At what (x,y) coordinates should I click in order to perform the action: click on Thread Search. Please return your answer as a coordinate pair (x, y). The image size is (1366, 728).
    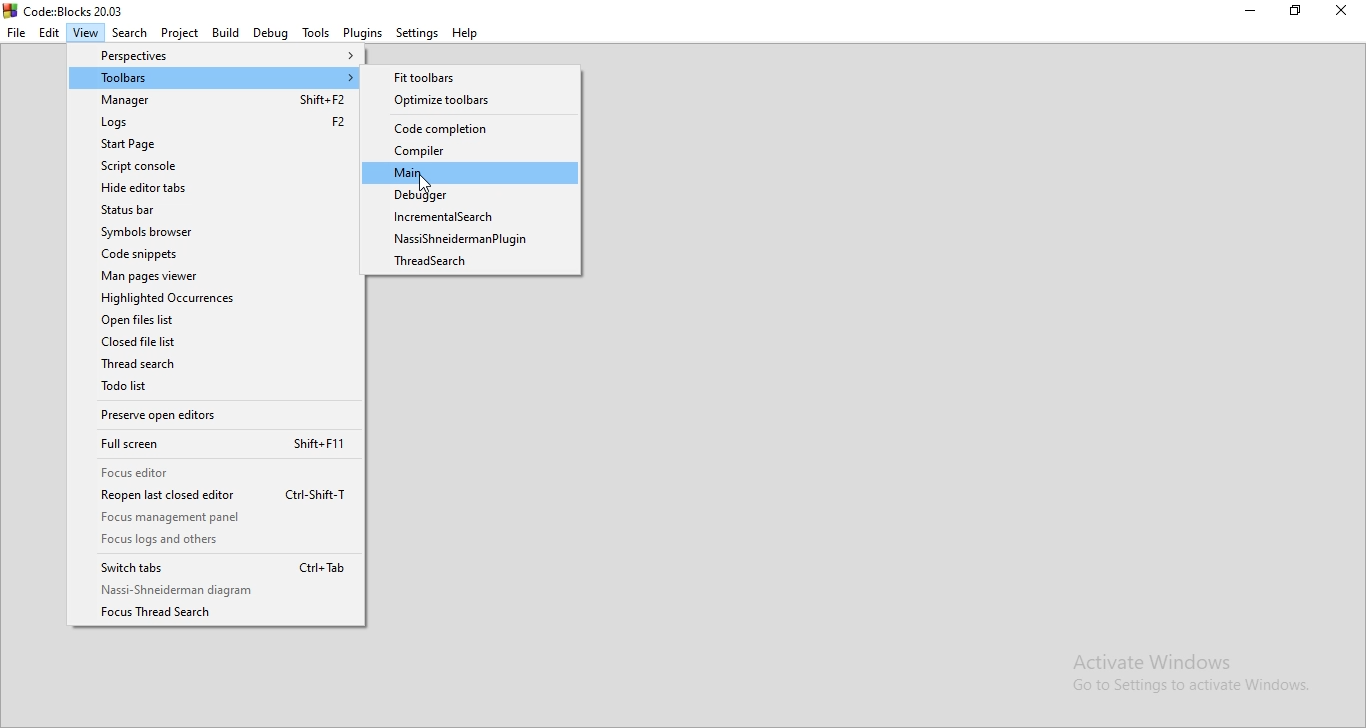
    Looking at the image, I should click on (221, 367).